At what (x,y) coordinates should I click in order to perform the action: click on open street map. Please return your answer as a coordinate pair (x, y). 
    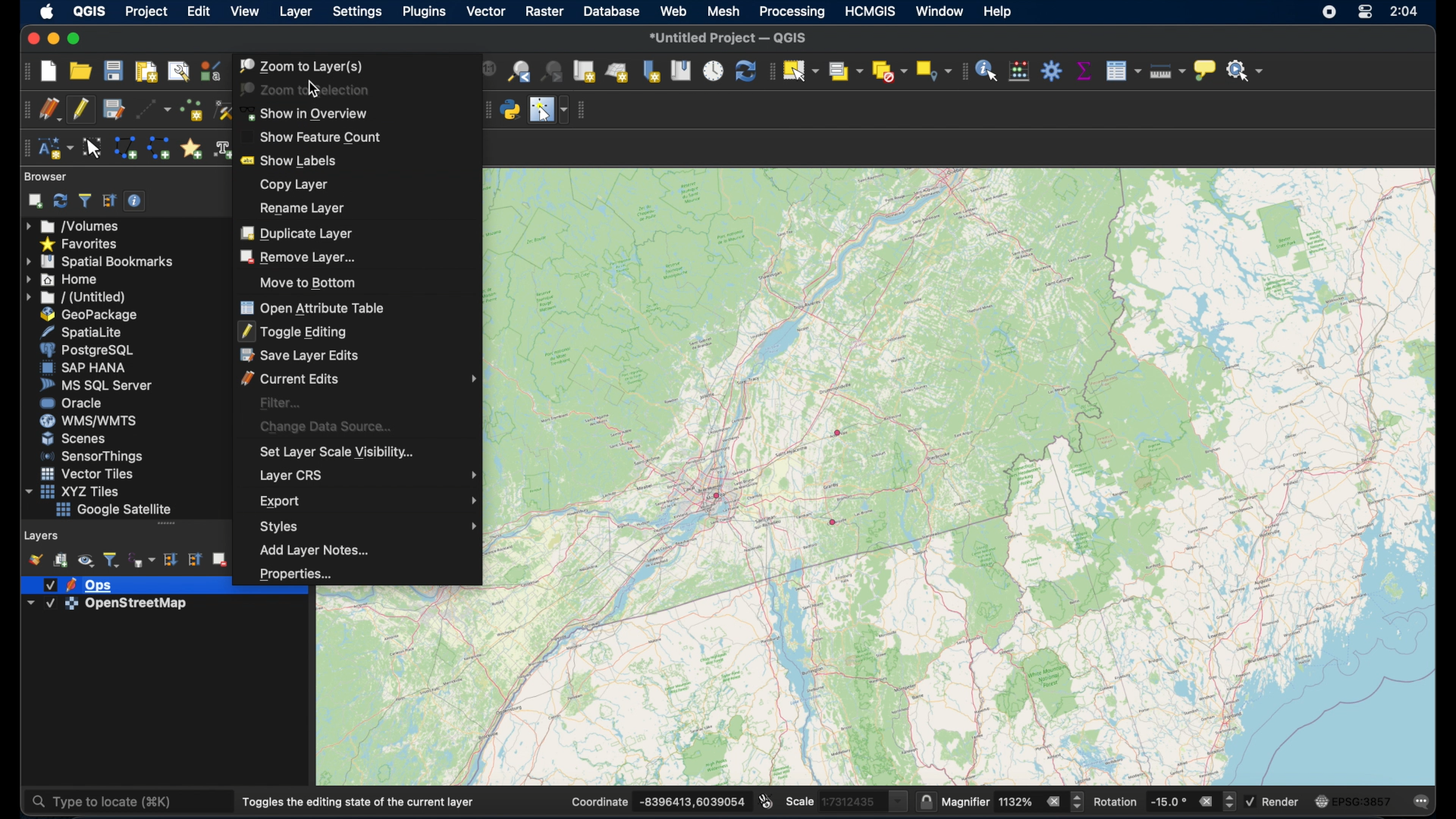
    Looking at the image, I should click on (594, 601).